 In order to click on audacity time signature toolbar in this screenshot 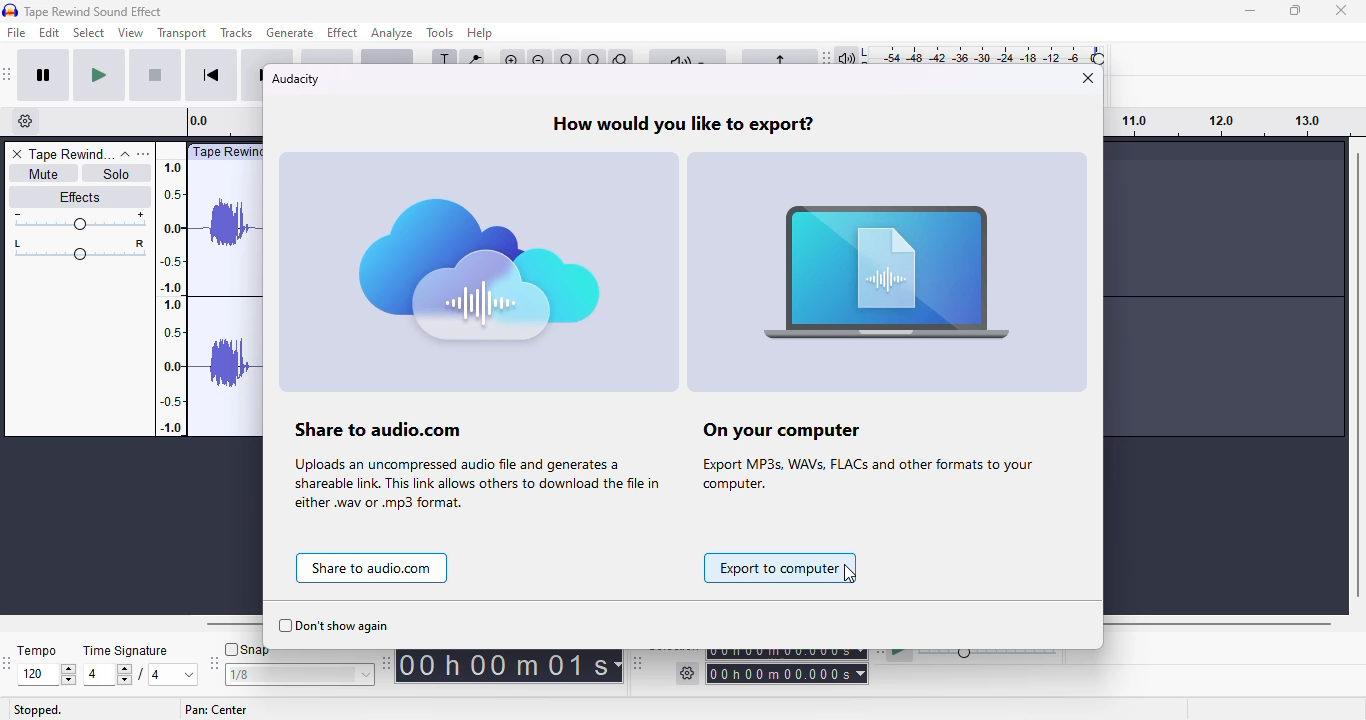, I will do `click(9, 662)`.